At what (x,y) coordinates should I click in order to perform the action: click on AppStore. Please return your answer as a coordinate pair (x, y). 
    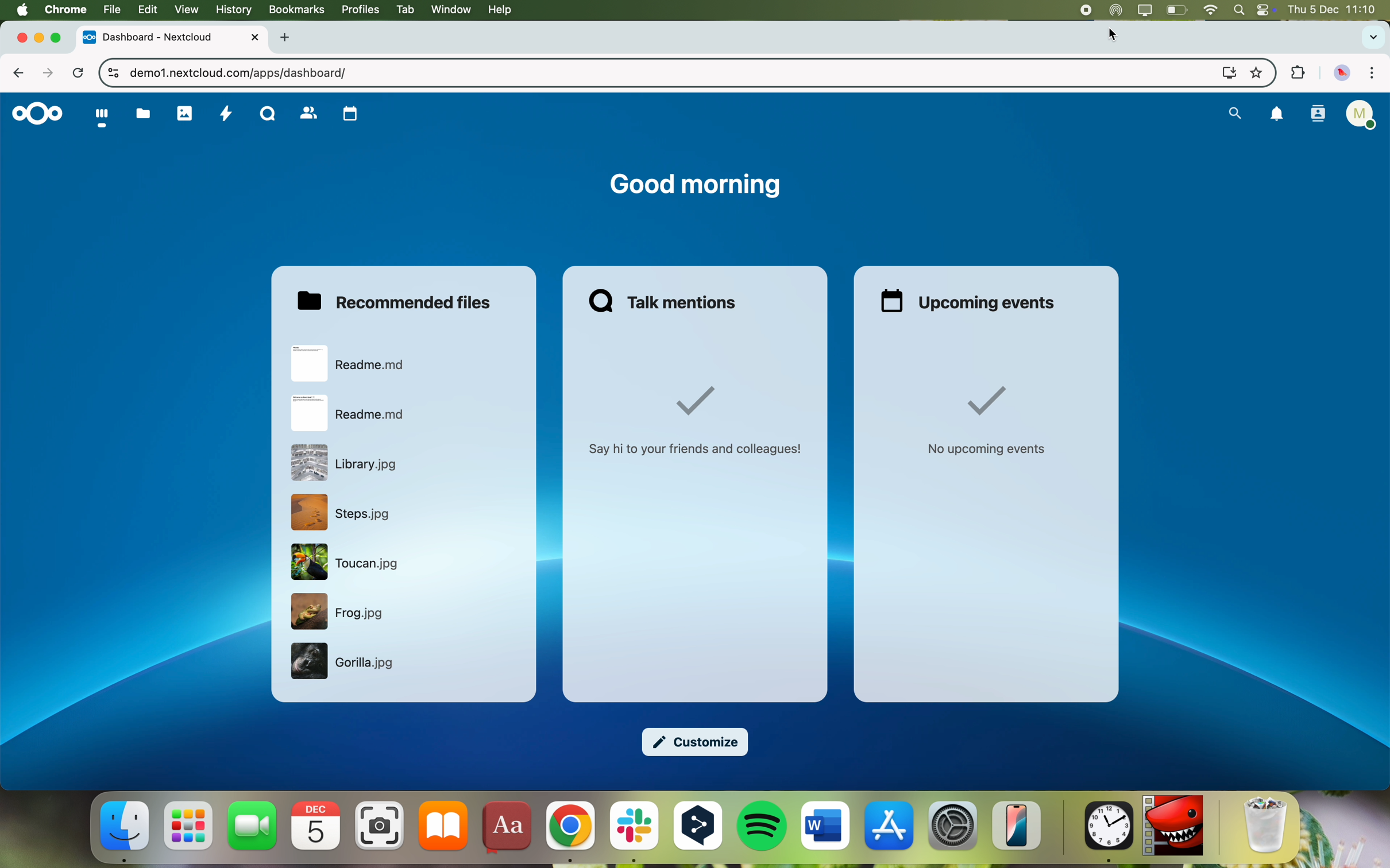
    Looking at the image, I should click on (890, 828).